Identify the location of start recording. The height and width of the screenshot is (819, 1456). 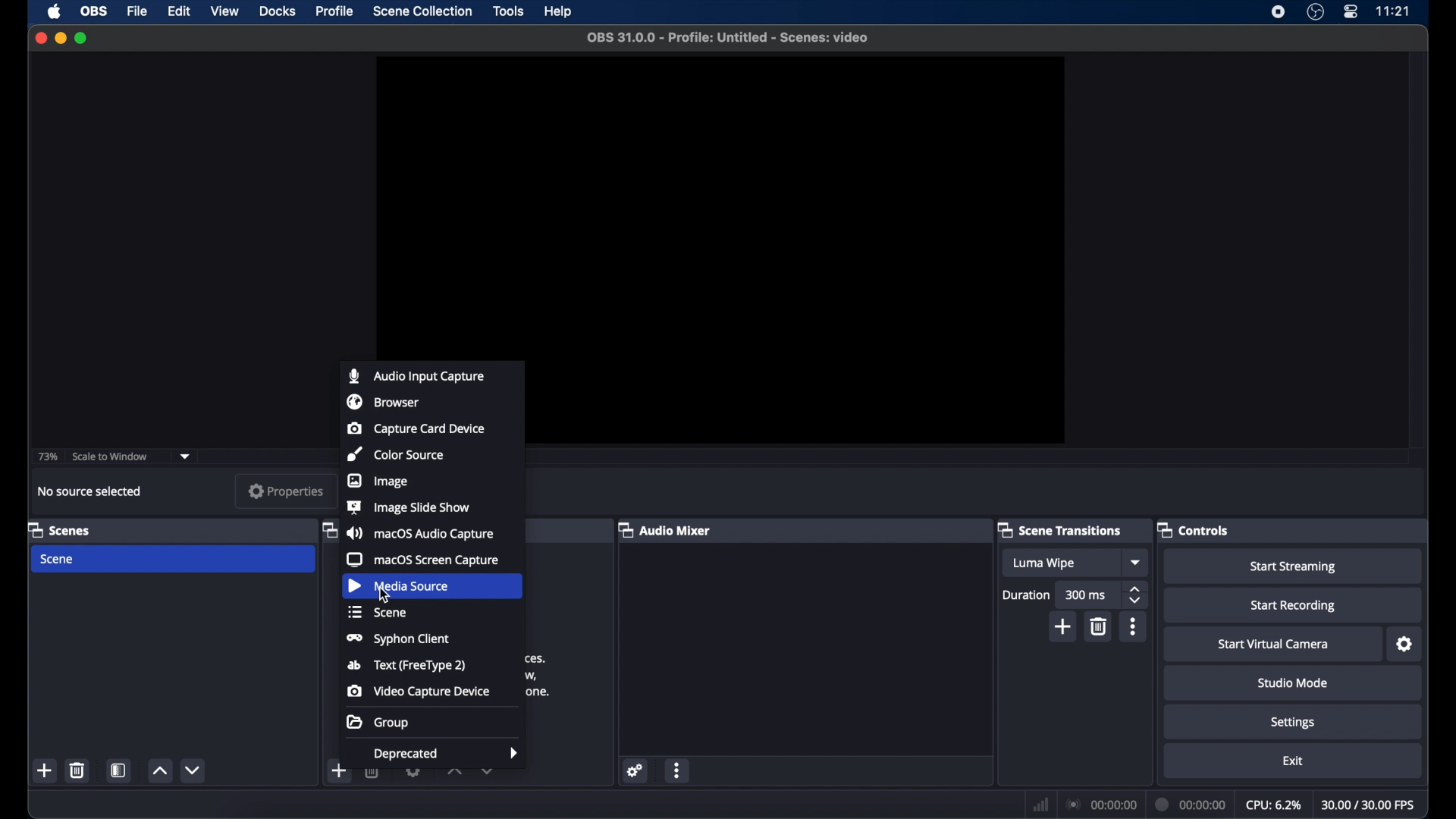
(1294, 606).